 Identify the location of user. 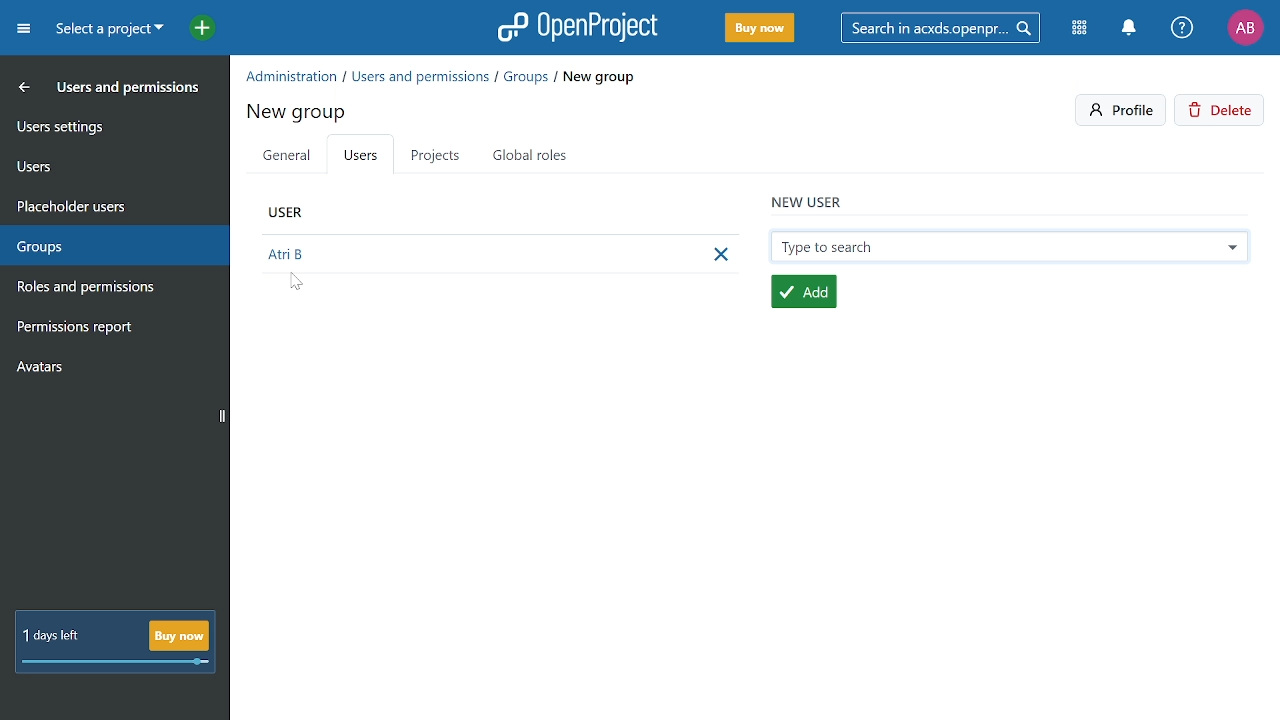
(499, 211).